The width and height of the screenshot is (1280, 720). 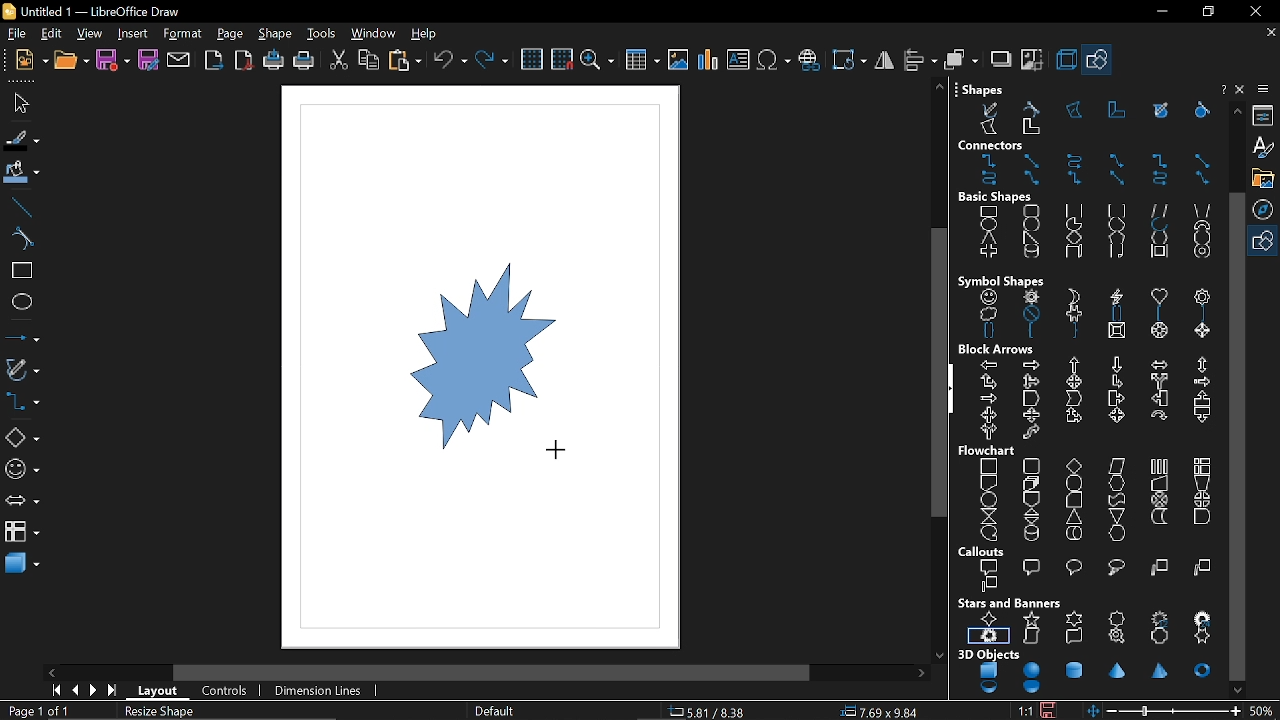 I want to click on save, so click(x=114, y=59).